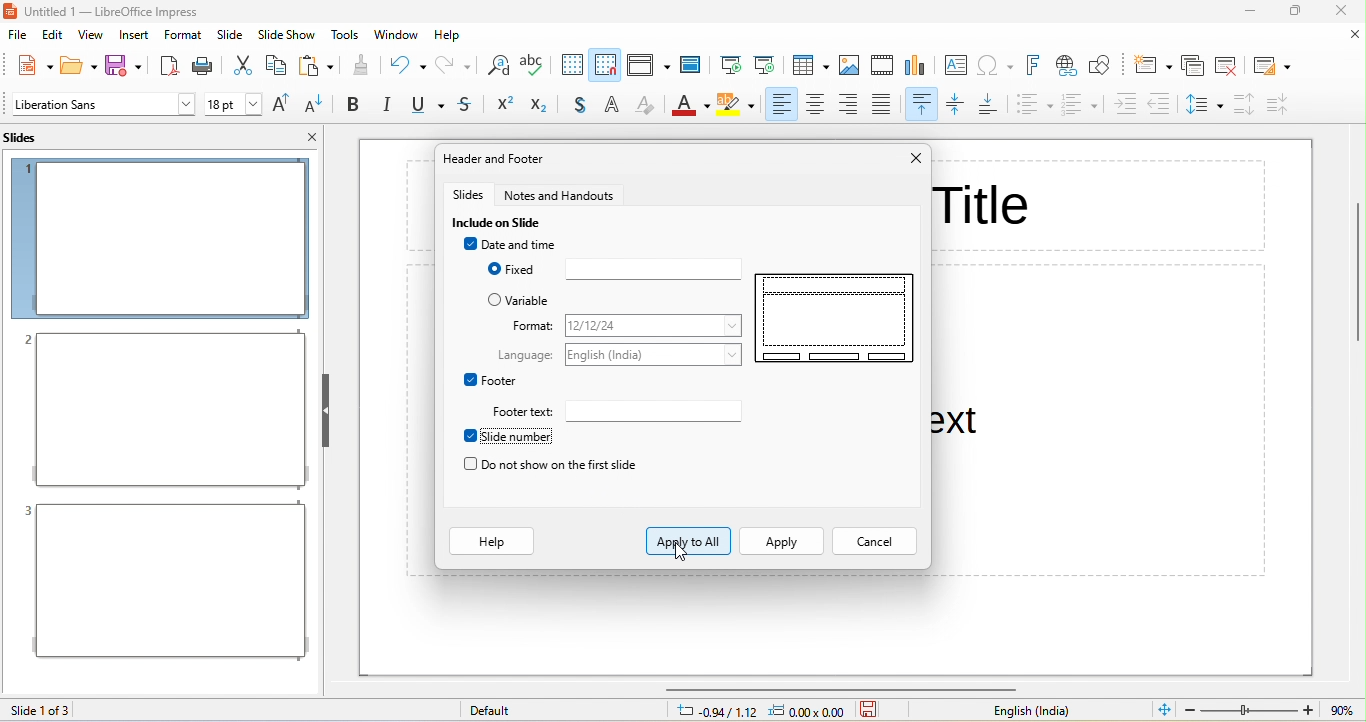  Describe the element at coordinates (134, 37) in the screenshot. I see `insert` at that location.